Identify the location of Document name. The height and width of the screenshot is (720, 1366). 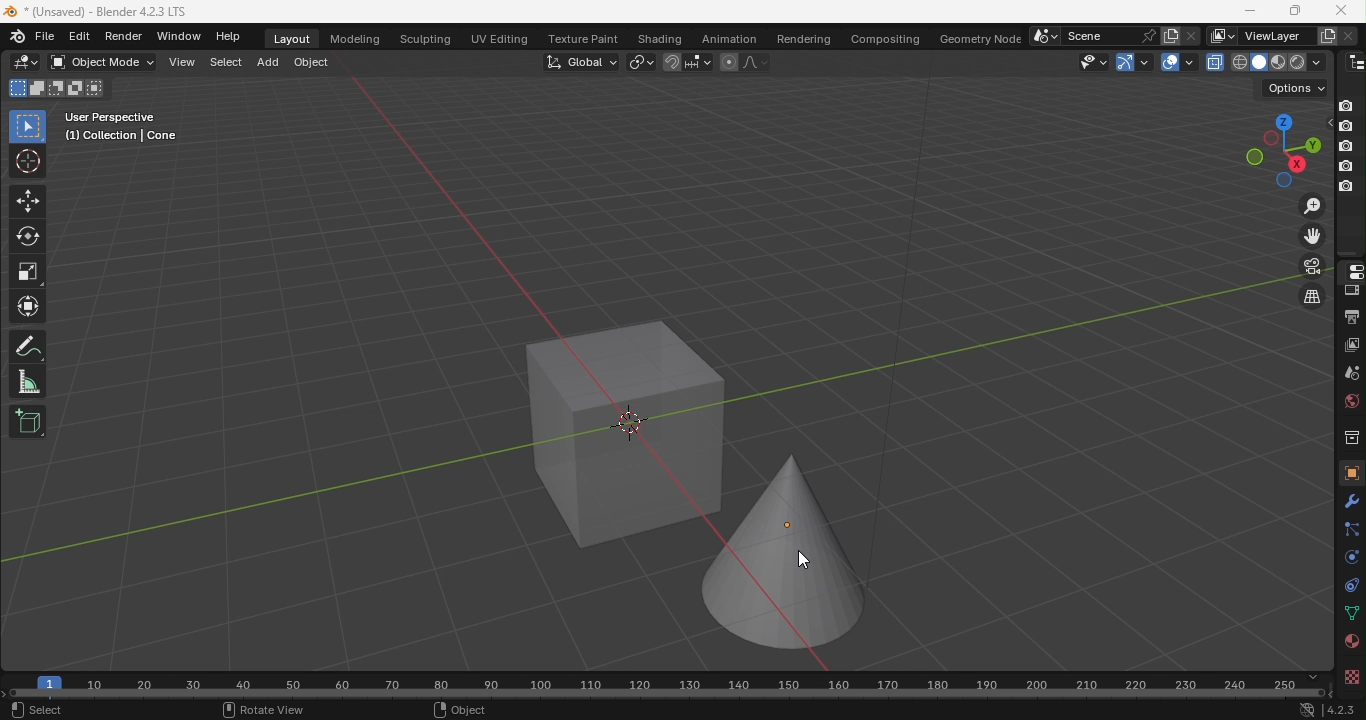
(105, 10).